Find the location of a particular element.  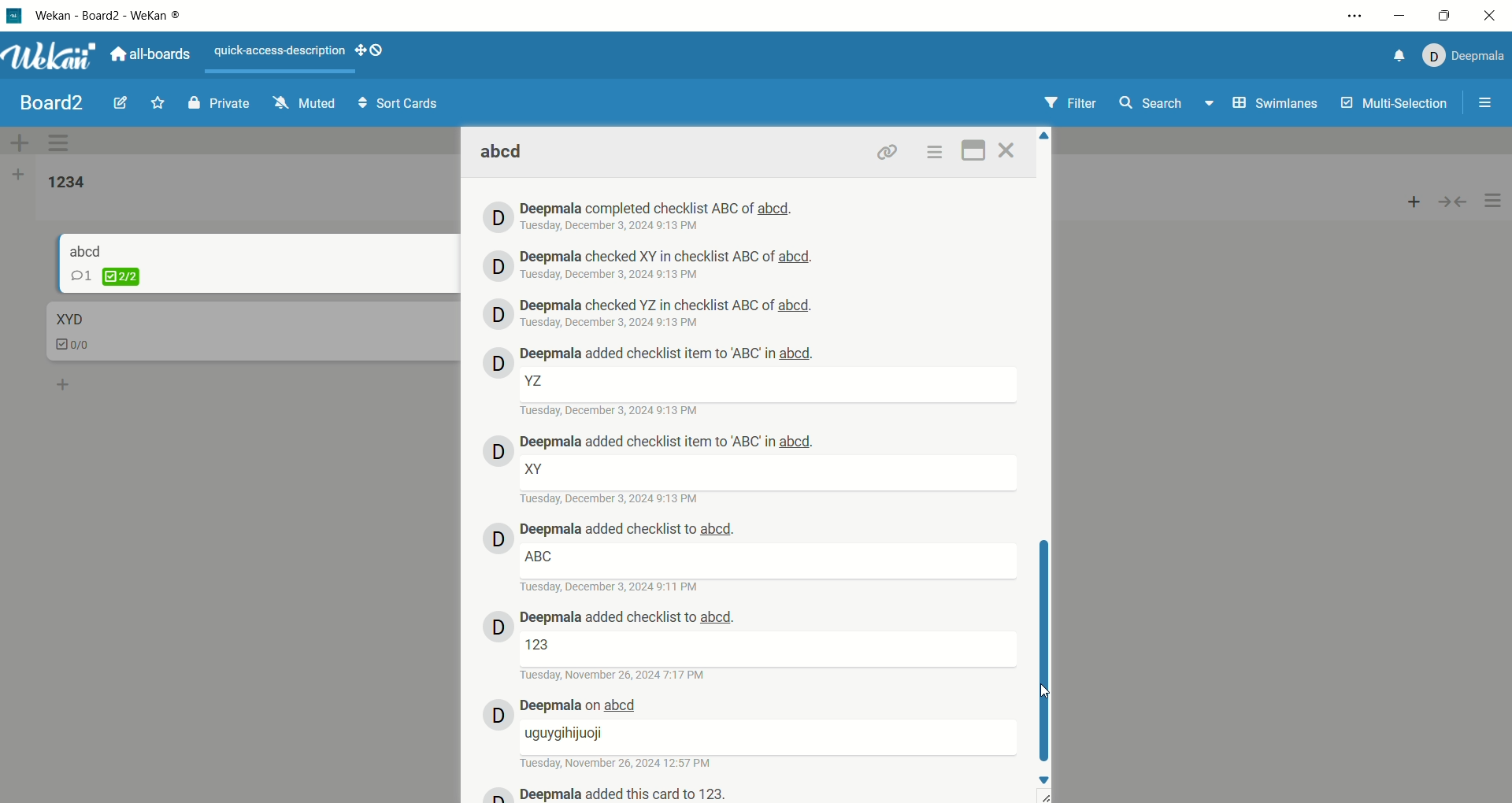

text is located at coordinates (539, 557).